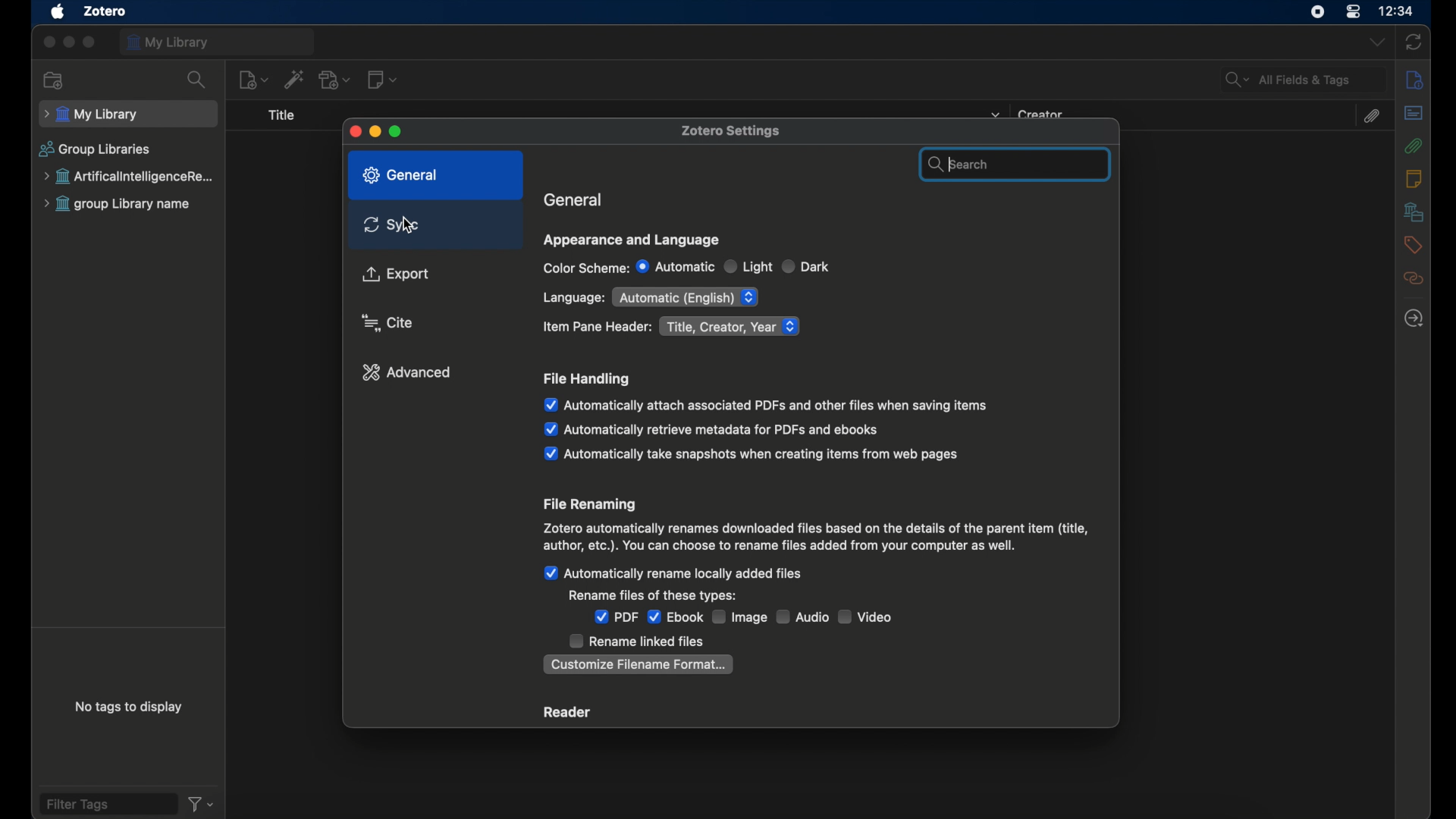 The height and width of the screenshot is (819, 1456). What do you see at coordinates (1397, 11) in the screenshot?
I see `time` at bounding box center [1397, 11].